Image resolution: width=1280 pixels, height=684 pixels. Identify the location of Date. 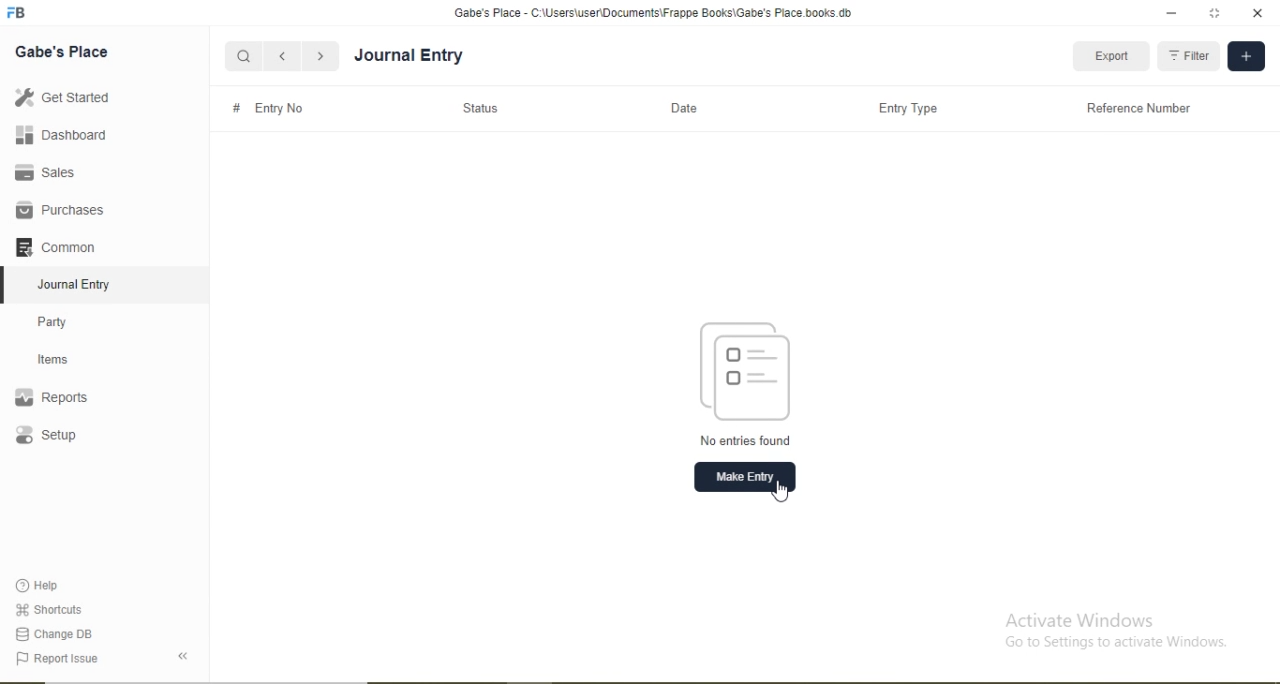
(686, 109).